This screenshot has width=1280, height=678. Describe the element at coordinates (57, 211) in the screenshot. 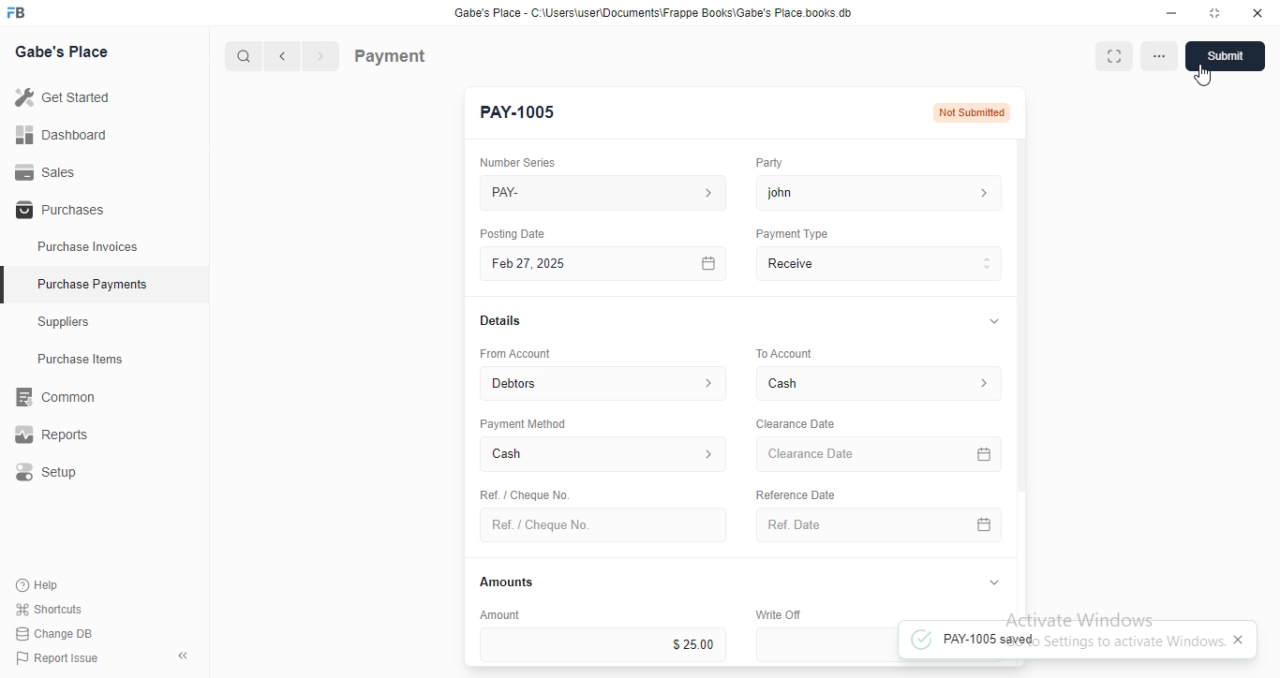

I see `Purchases` at that location.